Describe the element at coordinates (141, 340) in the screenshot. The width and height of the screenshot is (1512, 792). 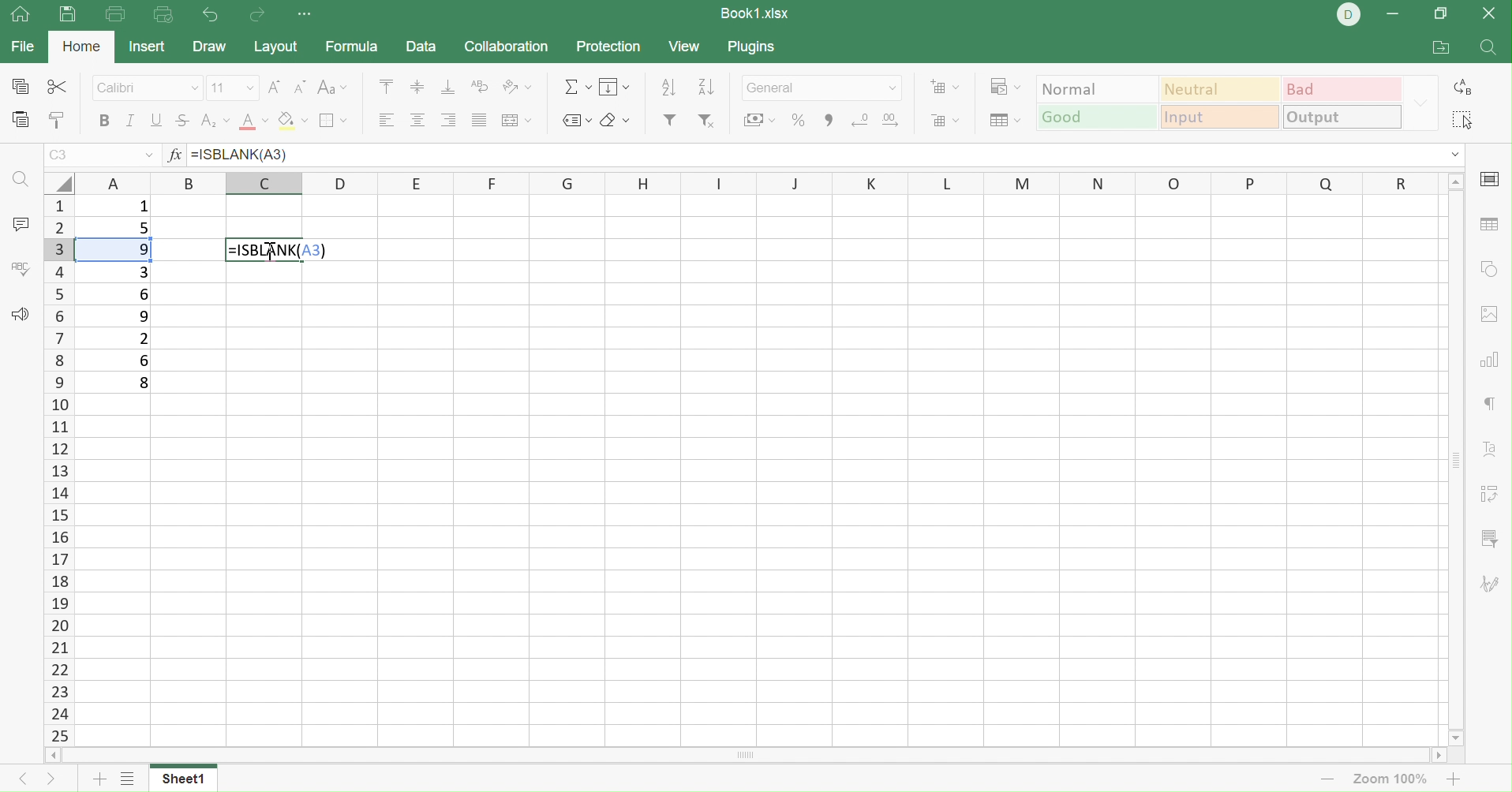
I see `2` at that location.